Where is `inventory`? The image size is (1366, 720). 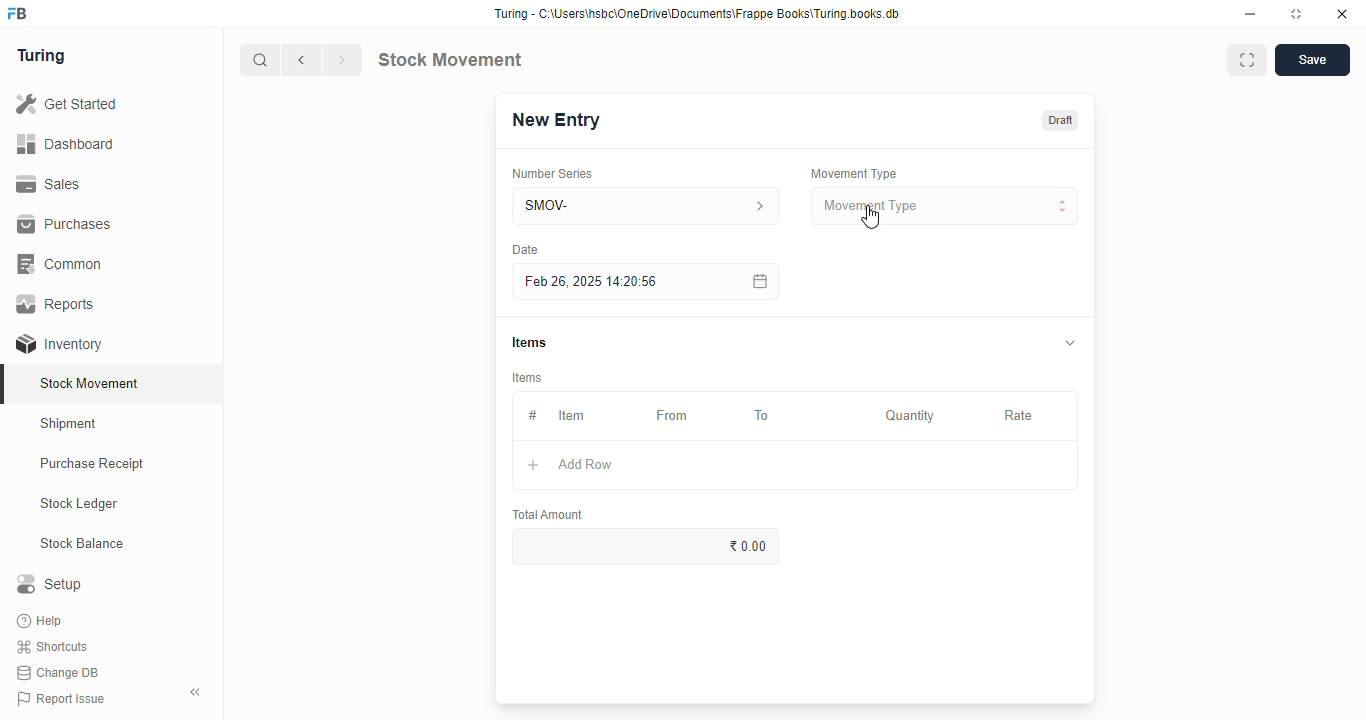 inventory is located at coordinates (59, 344).